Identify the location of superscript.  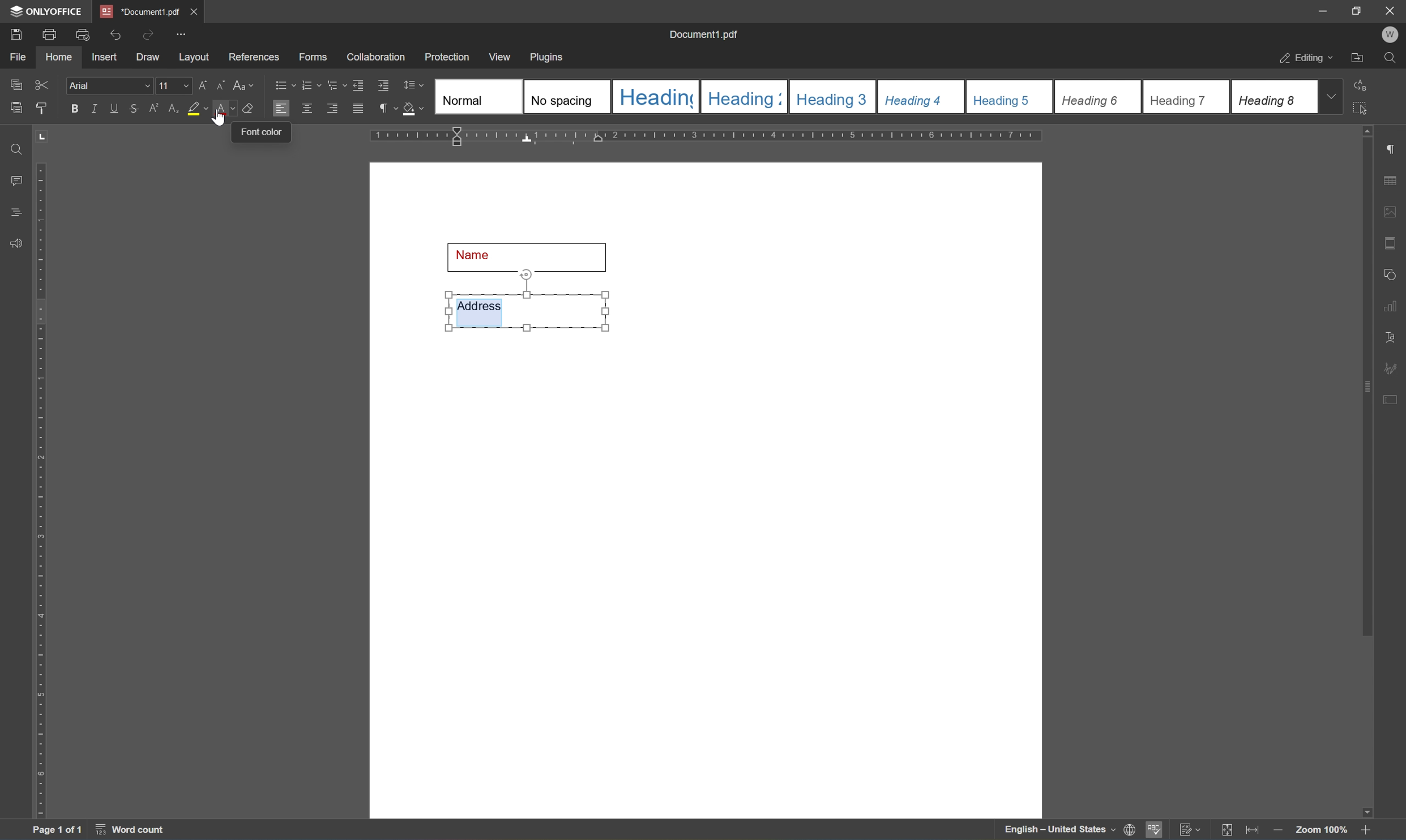
(153, 110).